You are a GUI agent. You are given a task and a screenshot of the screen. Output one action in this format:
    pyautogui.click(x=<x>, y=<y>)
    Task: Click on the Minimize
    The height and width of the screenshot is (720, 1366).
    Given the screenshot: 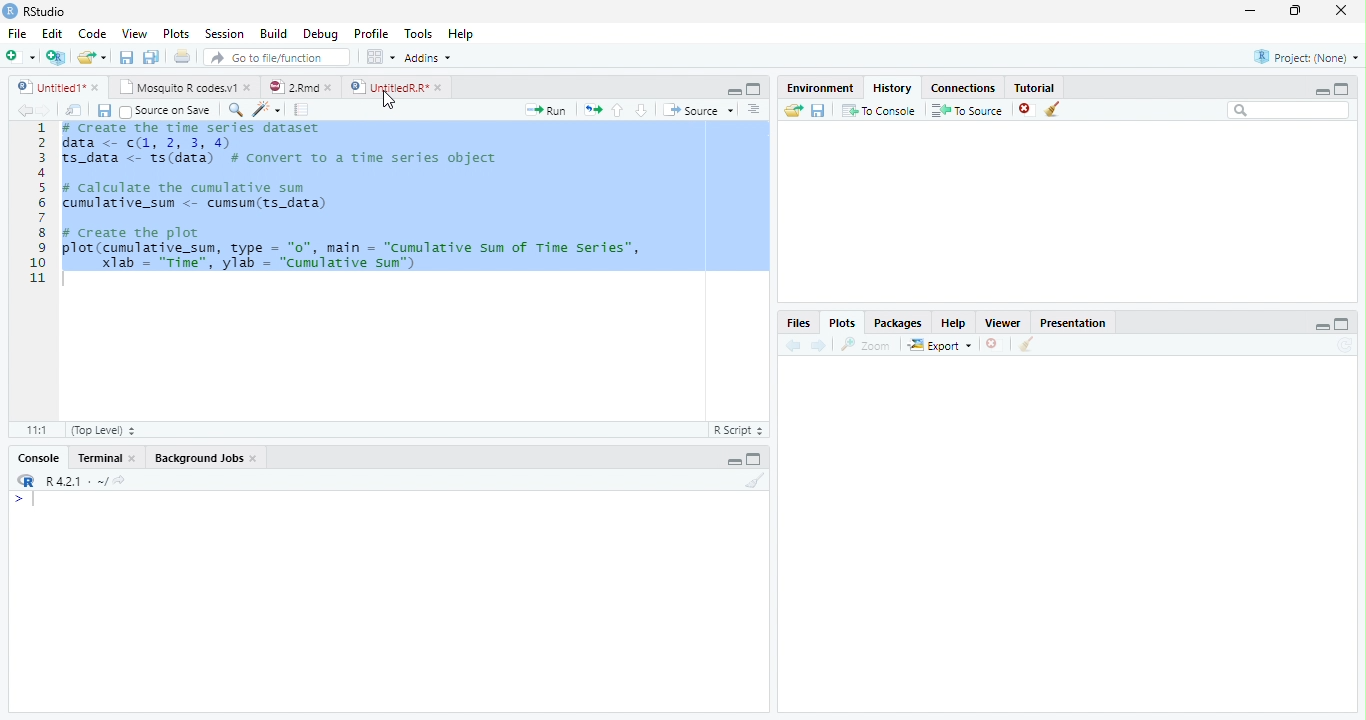 What is the action you would take?
    pyautogui.click(x=1320, y=92)
    